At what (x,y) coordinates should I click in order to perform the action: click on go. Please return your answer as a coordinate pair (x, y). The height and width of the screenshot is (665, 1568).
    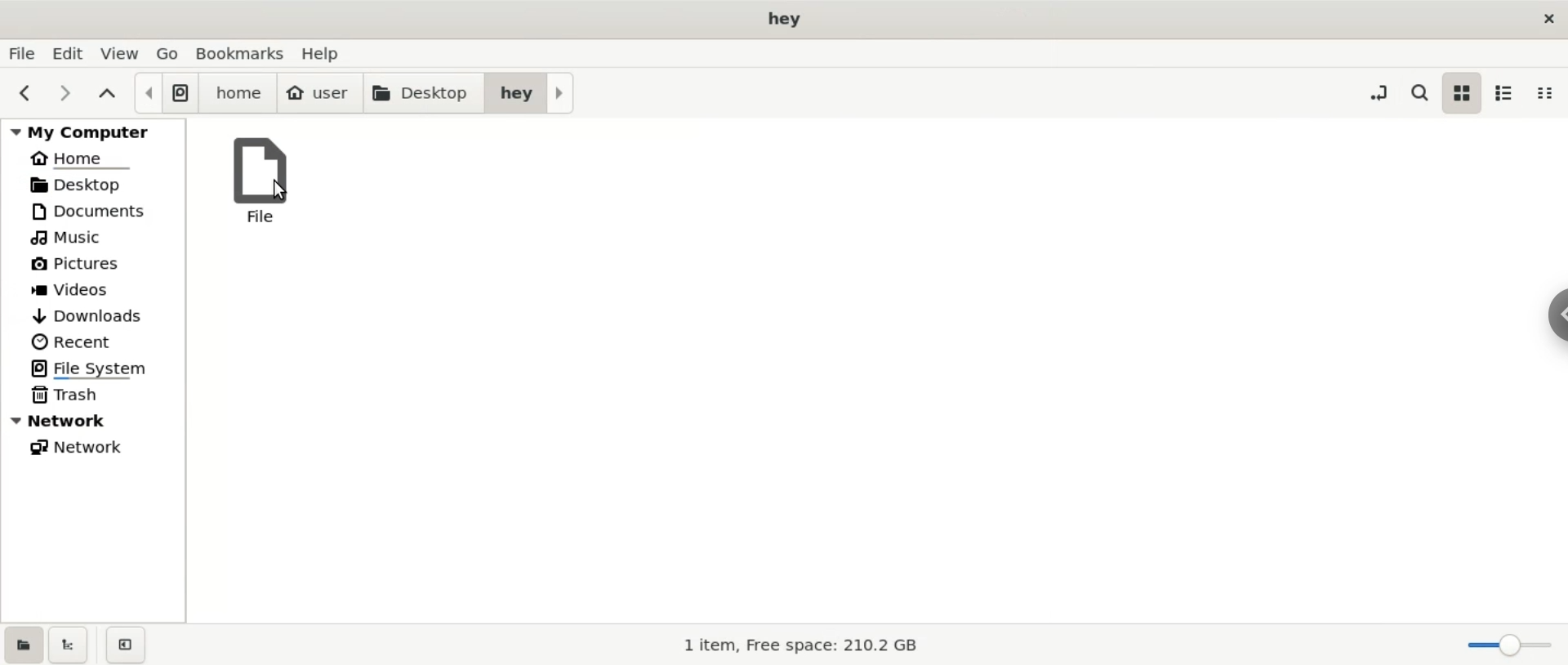
    Looking at the image, I should click on (169, 51).